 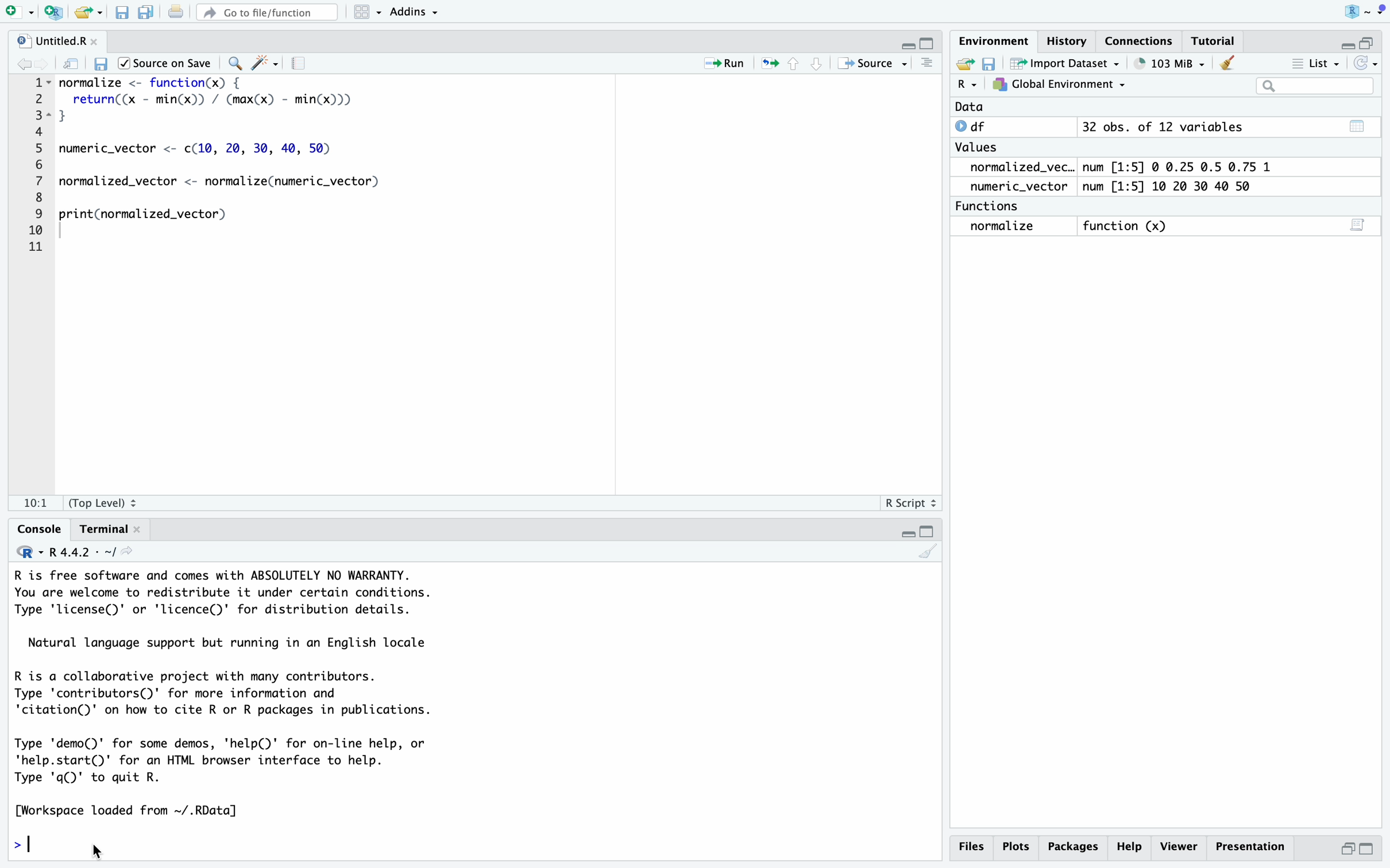 I want to click on Go to previous section/chunk (Ctrl + PgUp), so click(x=798, y=64).